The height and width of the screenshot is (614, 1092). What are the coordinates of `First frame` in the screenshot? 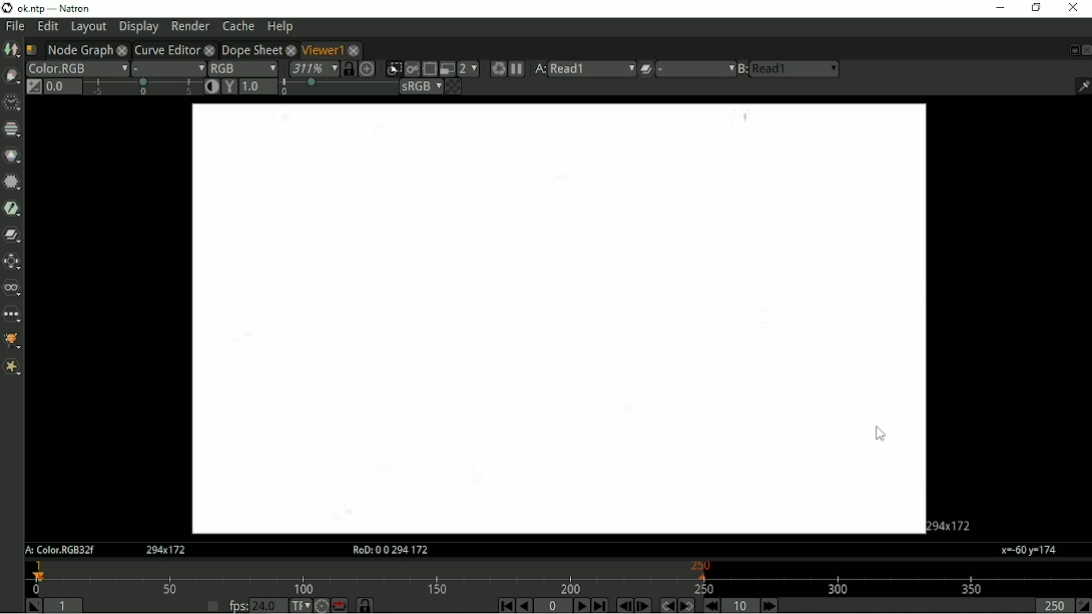 It's located at (505, 606).